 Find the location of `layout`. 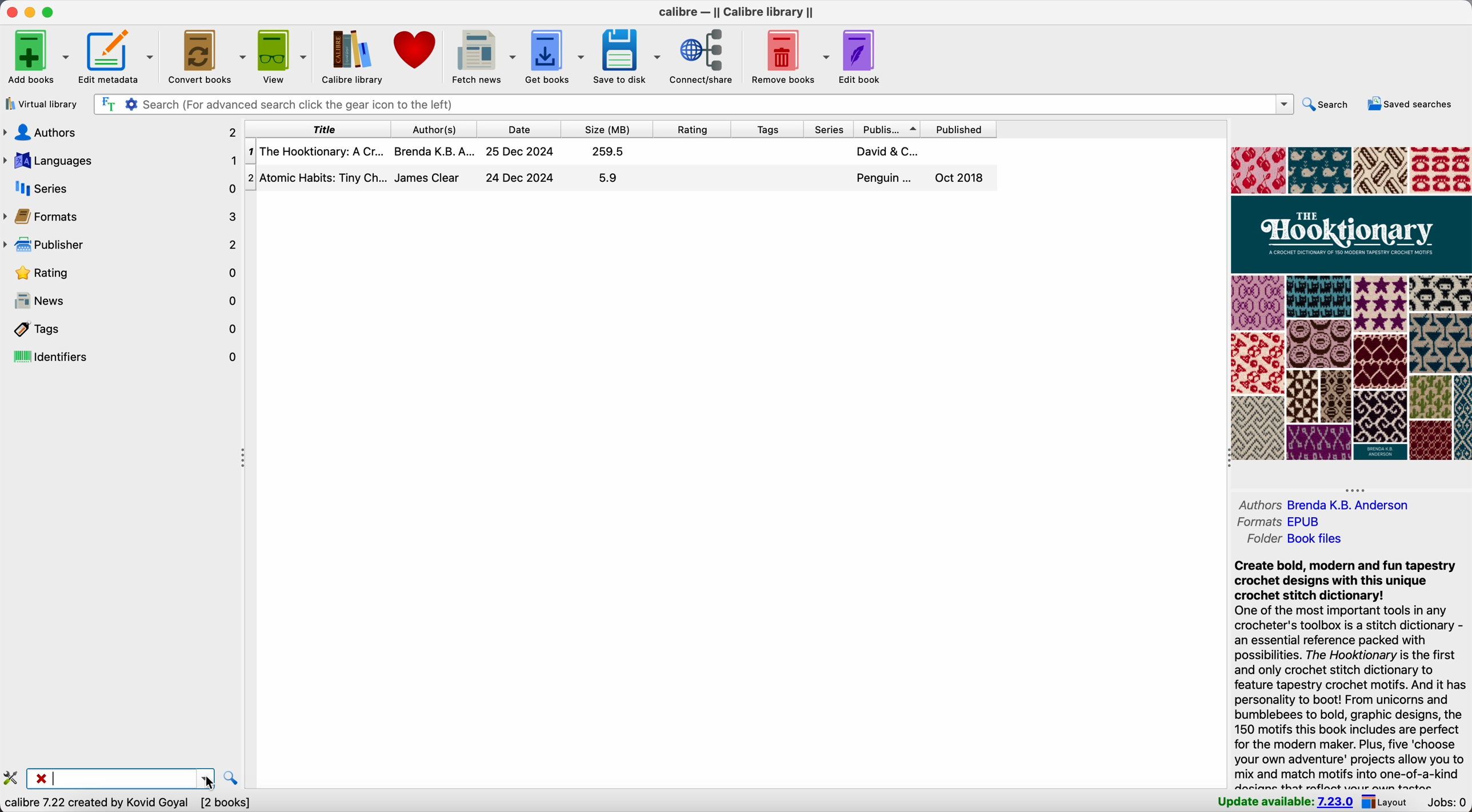

layout is located at coordinates (1386, 802).